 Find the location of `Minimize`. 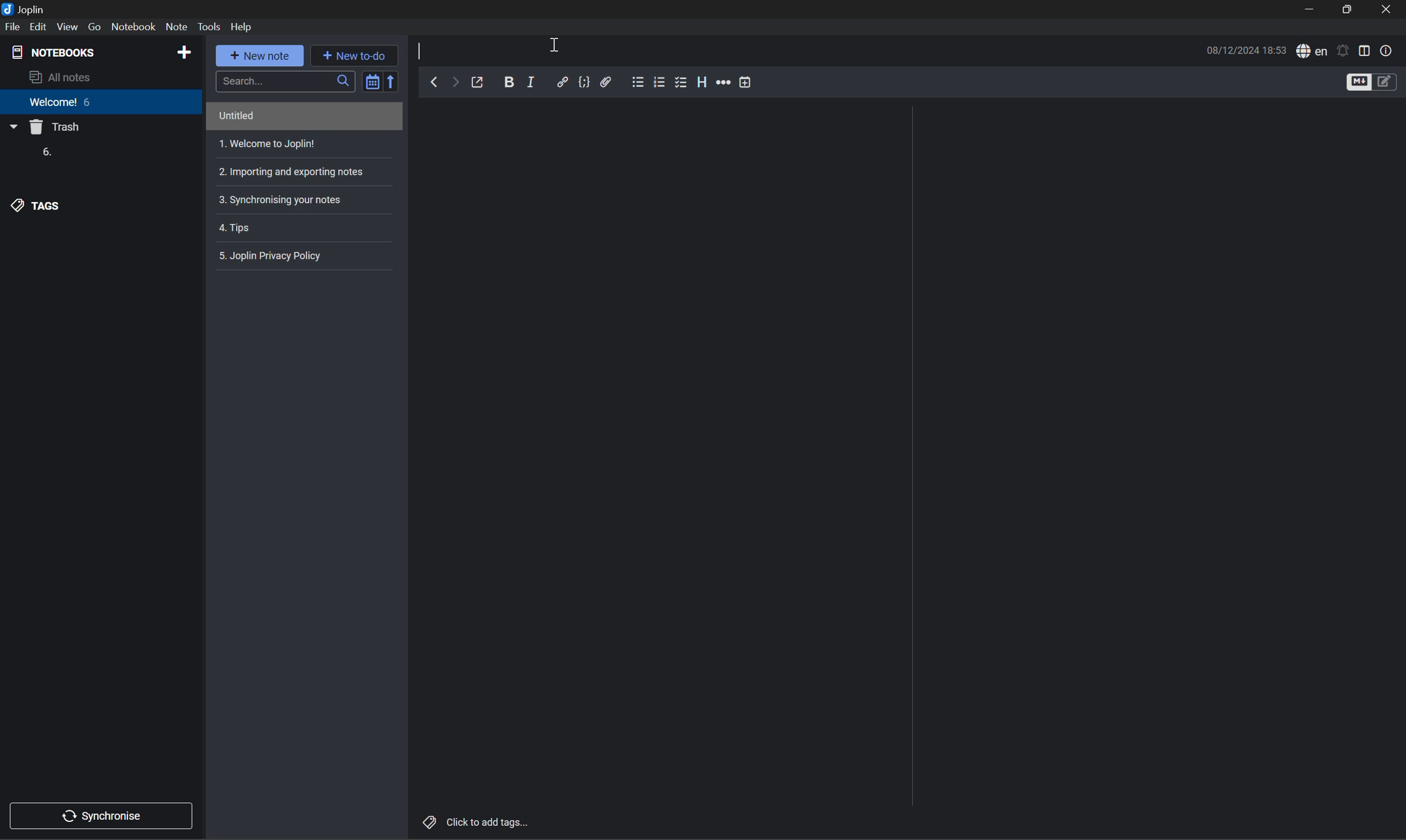

Minimize is located at coordinates (1314, 10).